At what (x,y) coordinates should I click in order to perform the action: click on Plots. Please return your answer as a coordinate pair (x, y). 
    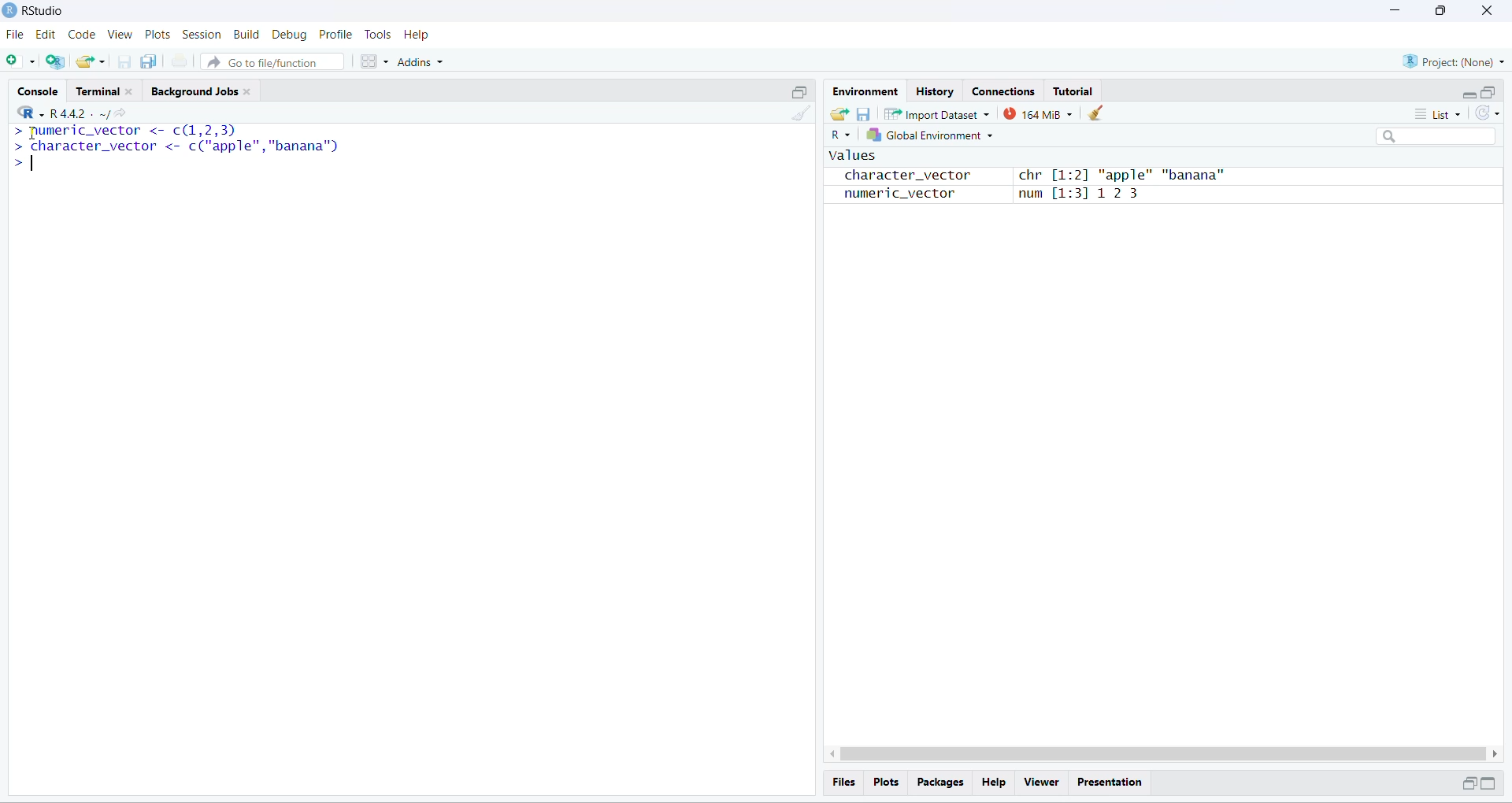
    Looking at the image, I should click on (159, 35).